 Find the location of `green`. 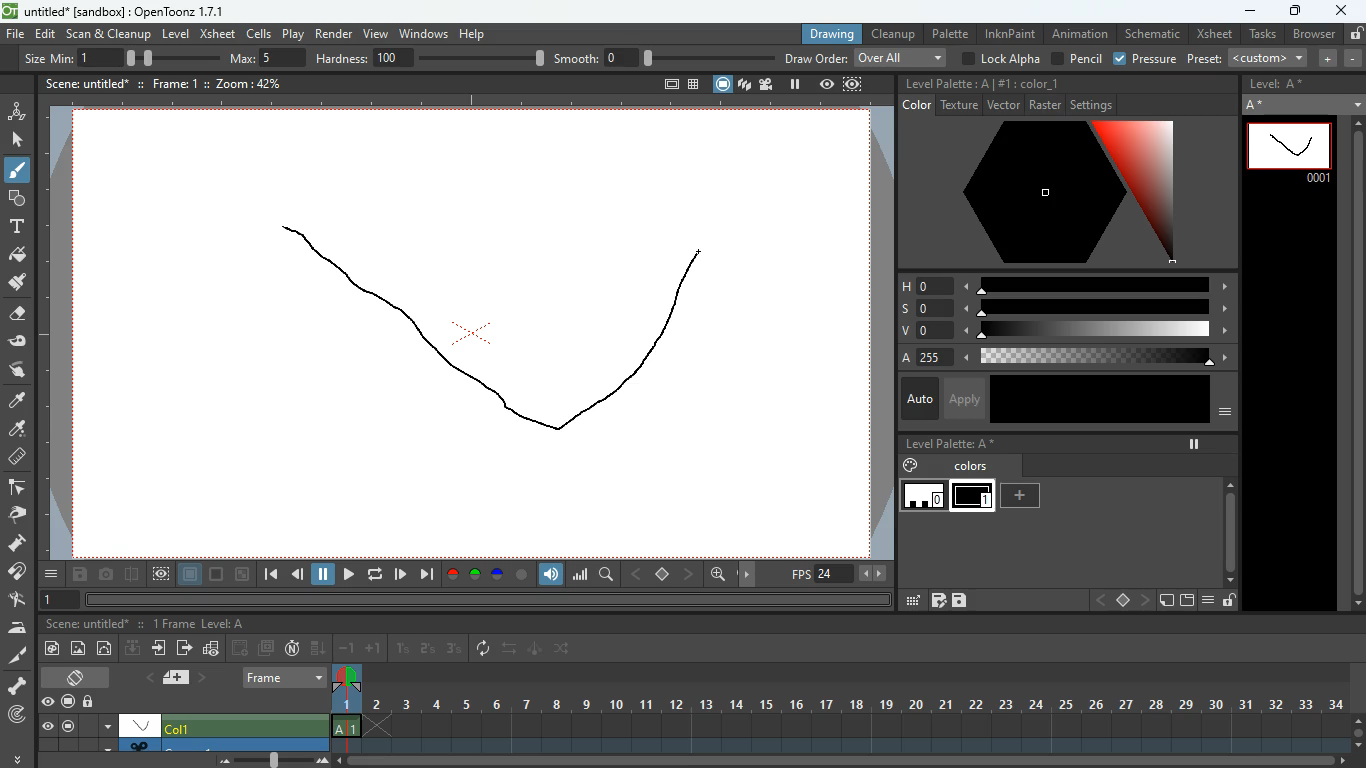

green is located at coordinates (475, 575).